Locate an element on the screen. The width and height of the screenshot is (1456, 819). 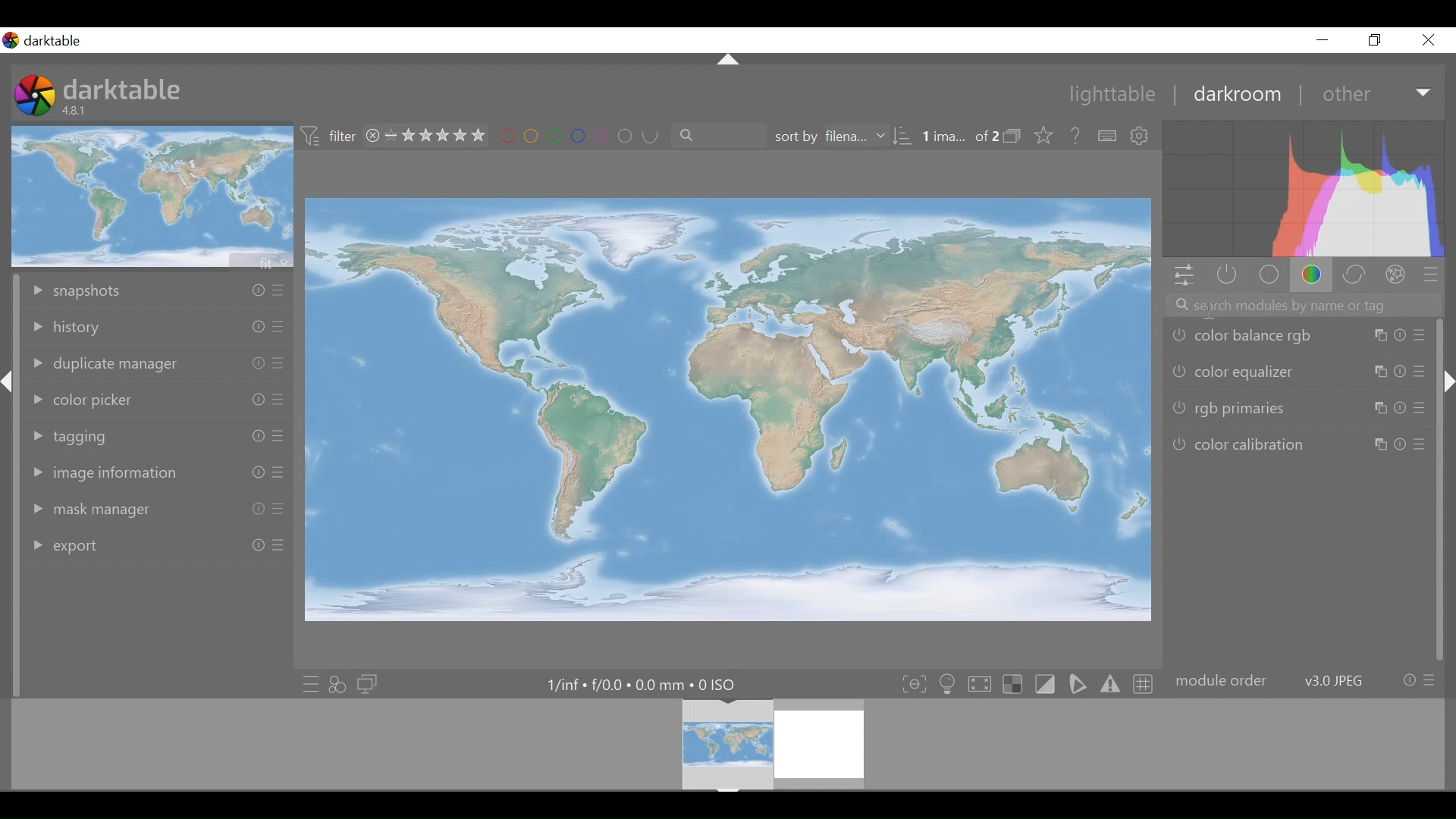
darkroom is located at coordinates (1235, 93).